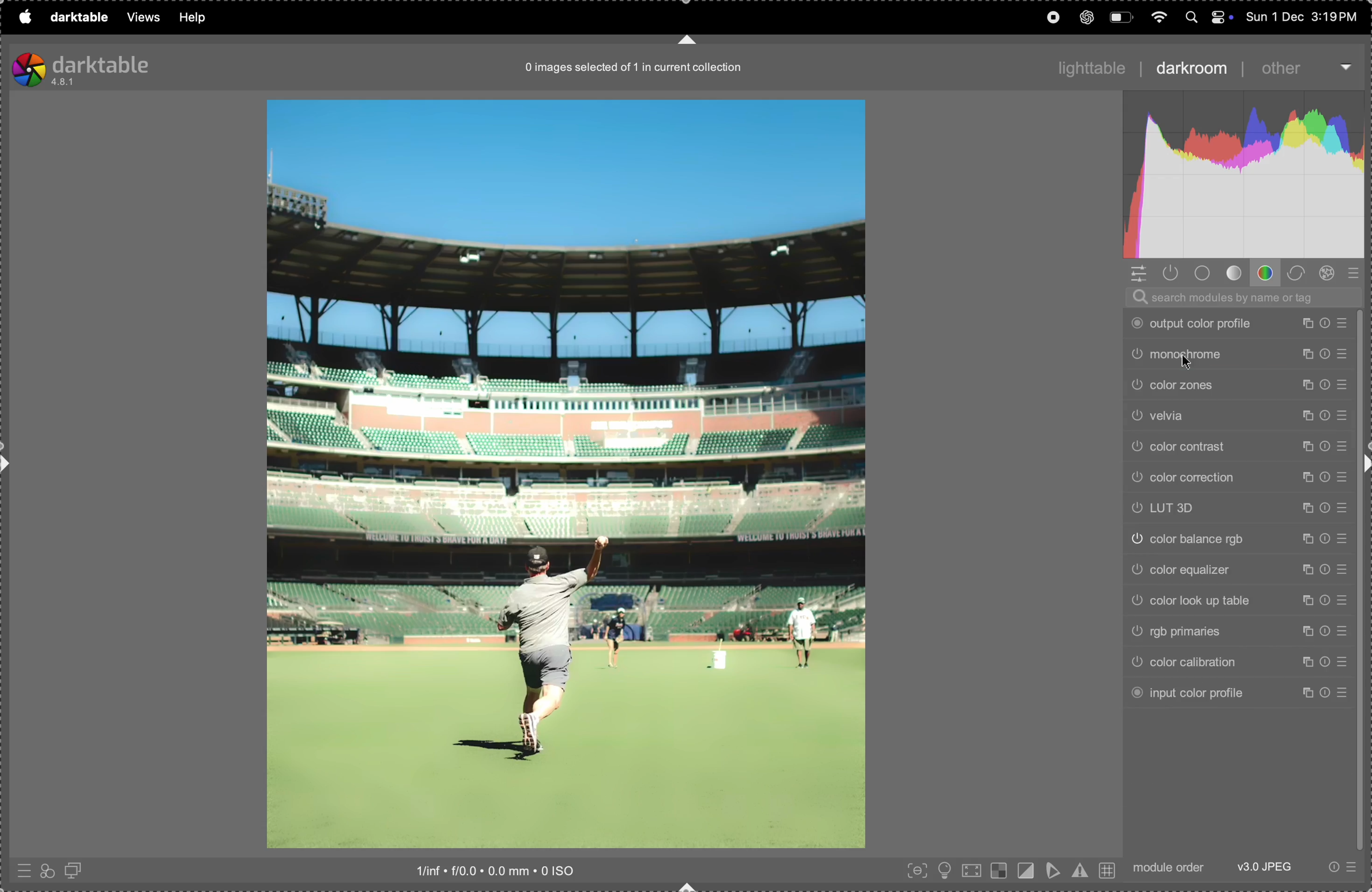 The width and height of the screenshot is (1372, 892). I want to click on darktable, so click(77, 19).